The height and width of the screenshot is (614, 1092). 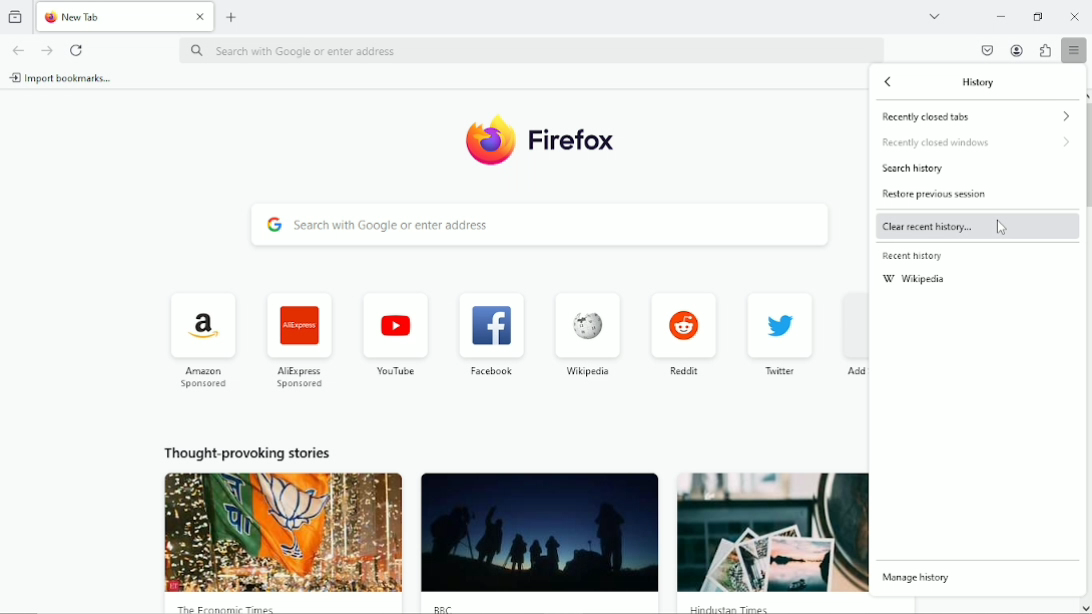 What do you see at coordinates (773, 532) in the screenshot?
I see `image` at bounding box center [773, 532].